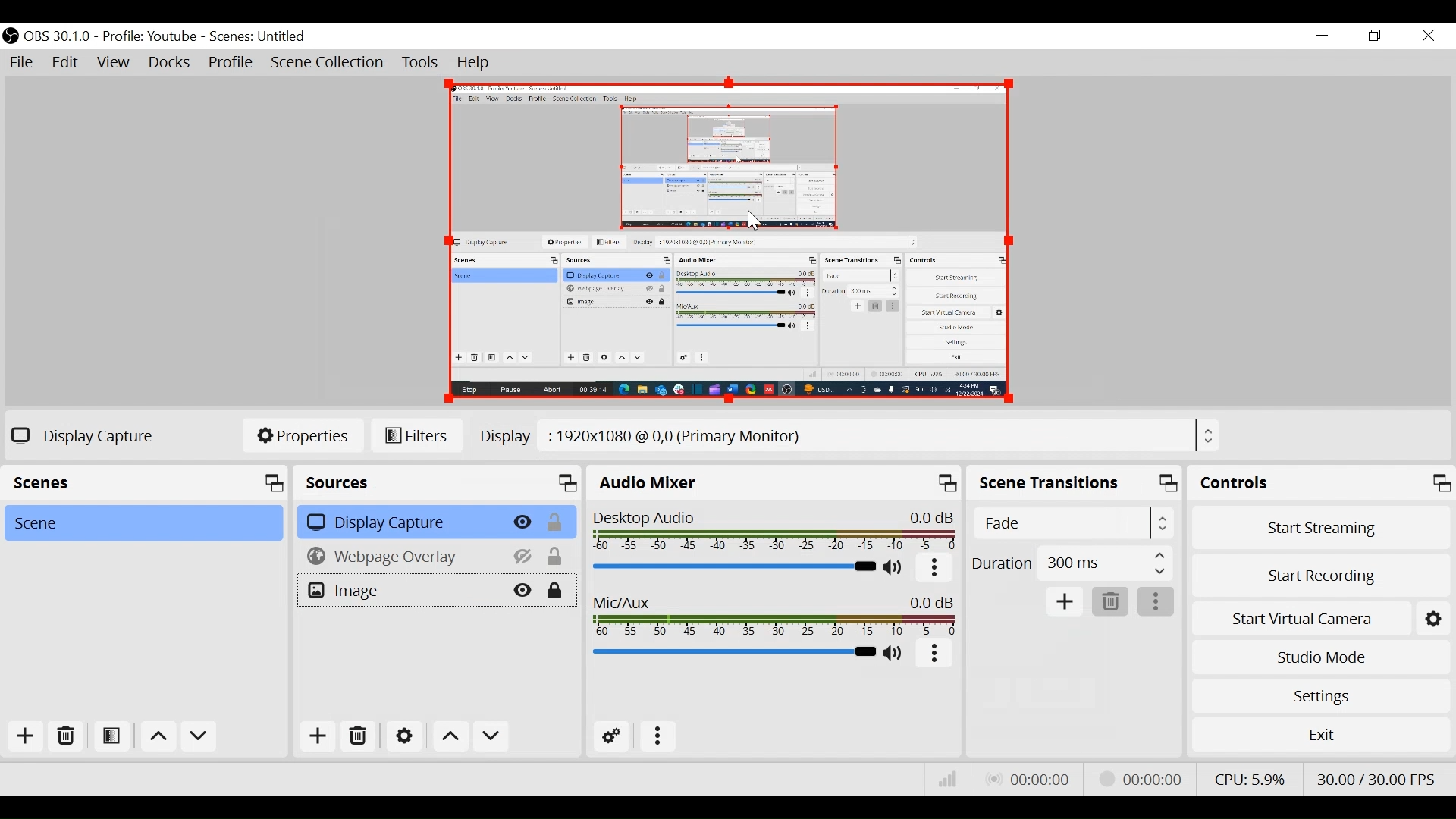 This screenshot has width=1456, height=819. What do you see at coordinates (521, 591) in the screenshot?
I see `Hide/Display` at bounding box center [521, 591].